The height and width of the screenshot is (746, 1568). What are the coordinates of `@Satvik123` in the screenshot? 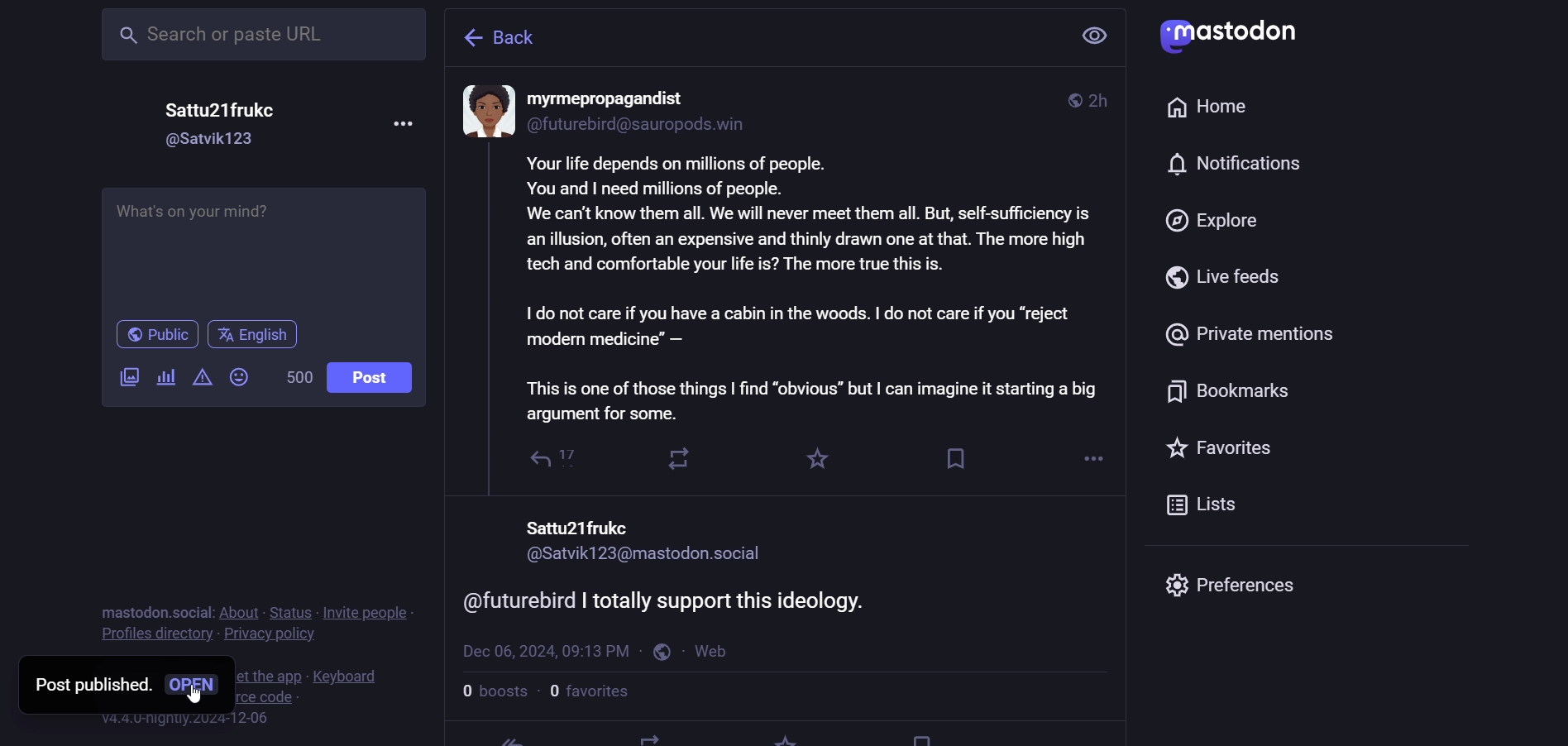 It's located at (213, 139).